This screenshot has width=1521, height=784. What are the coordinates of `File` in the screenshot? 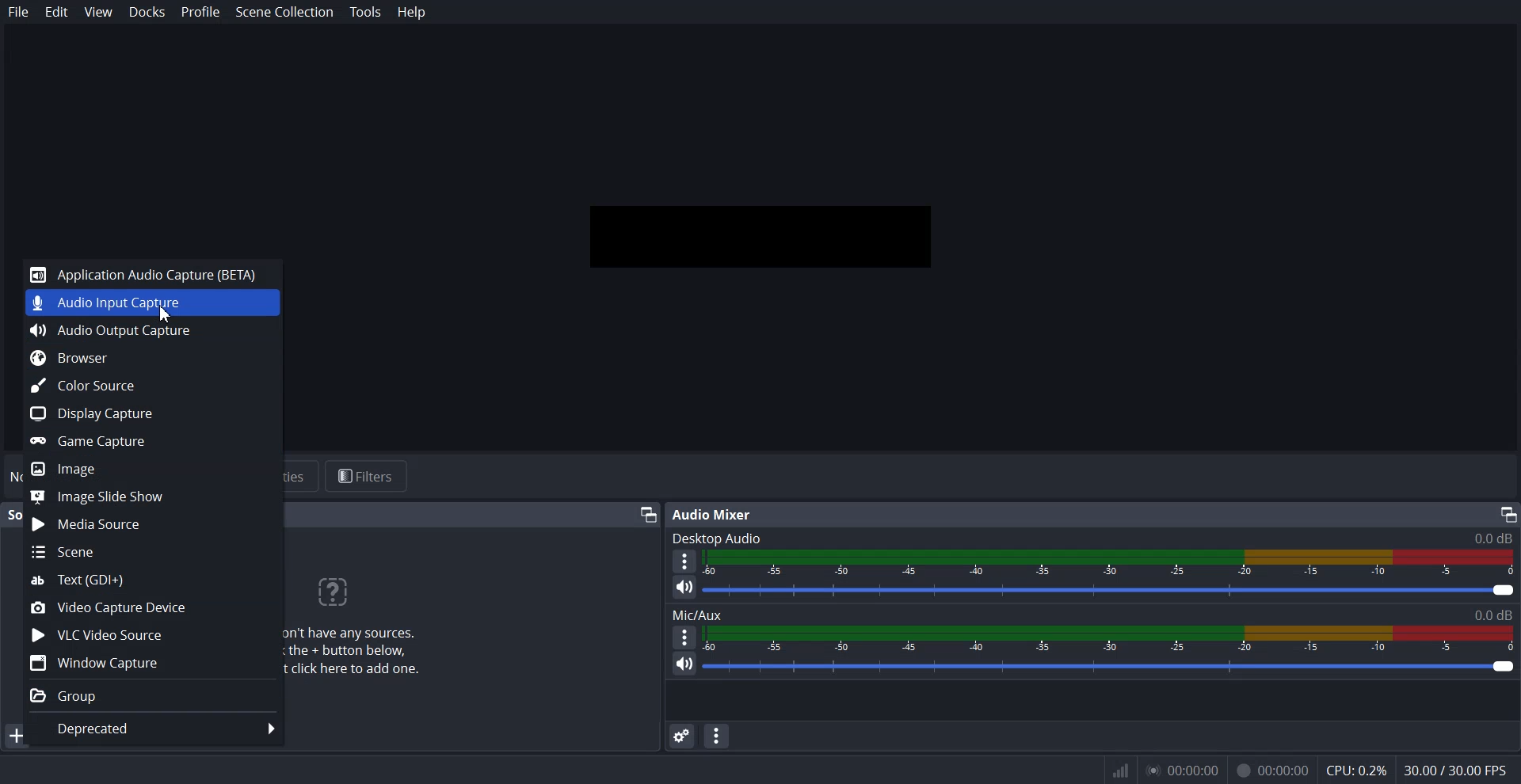 It's located at (19, 12).